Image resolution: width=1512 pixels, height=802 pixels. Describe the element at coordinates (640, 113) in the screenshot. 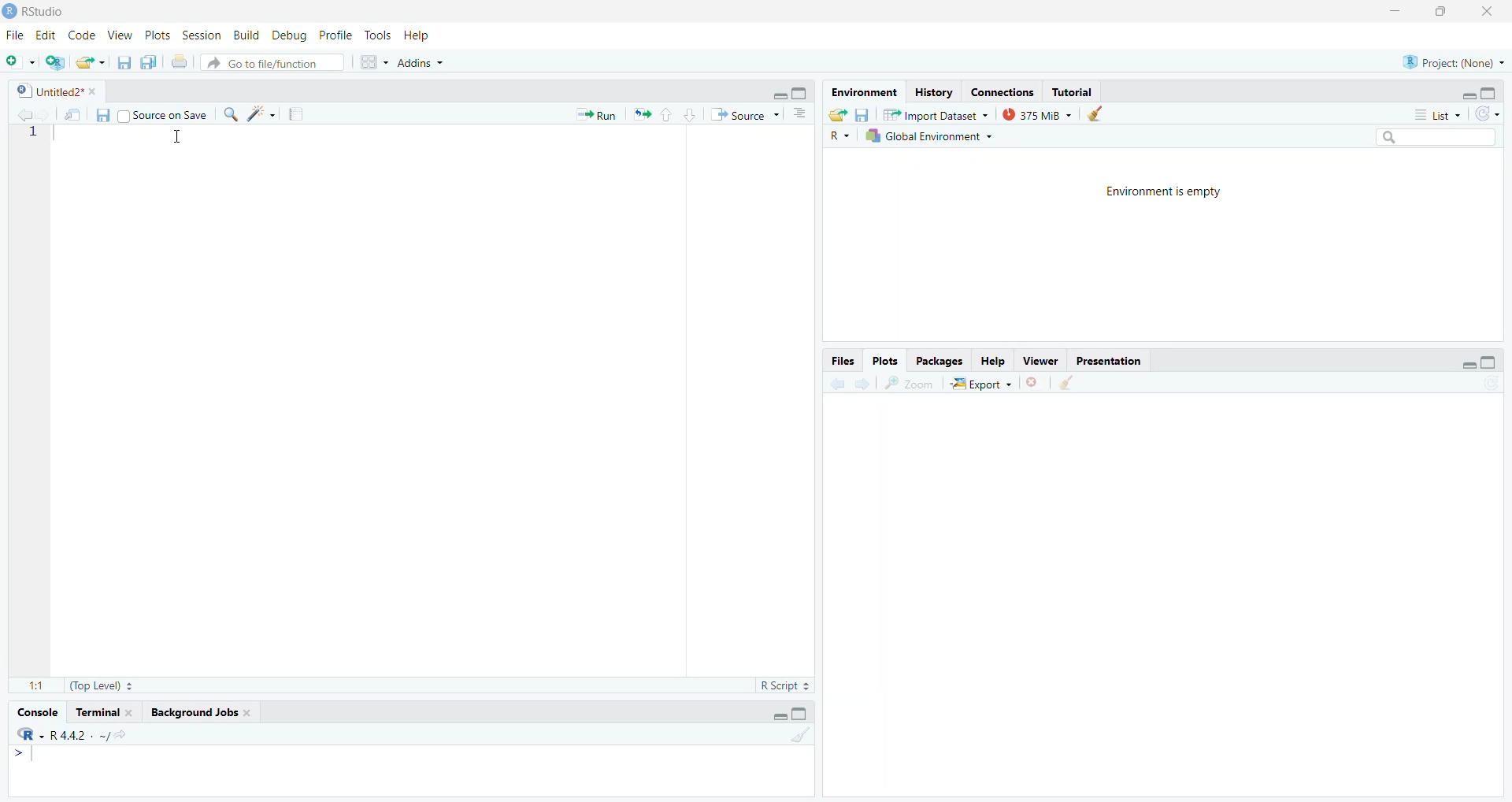

I see `re run the previous code` at that location.